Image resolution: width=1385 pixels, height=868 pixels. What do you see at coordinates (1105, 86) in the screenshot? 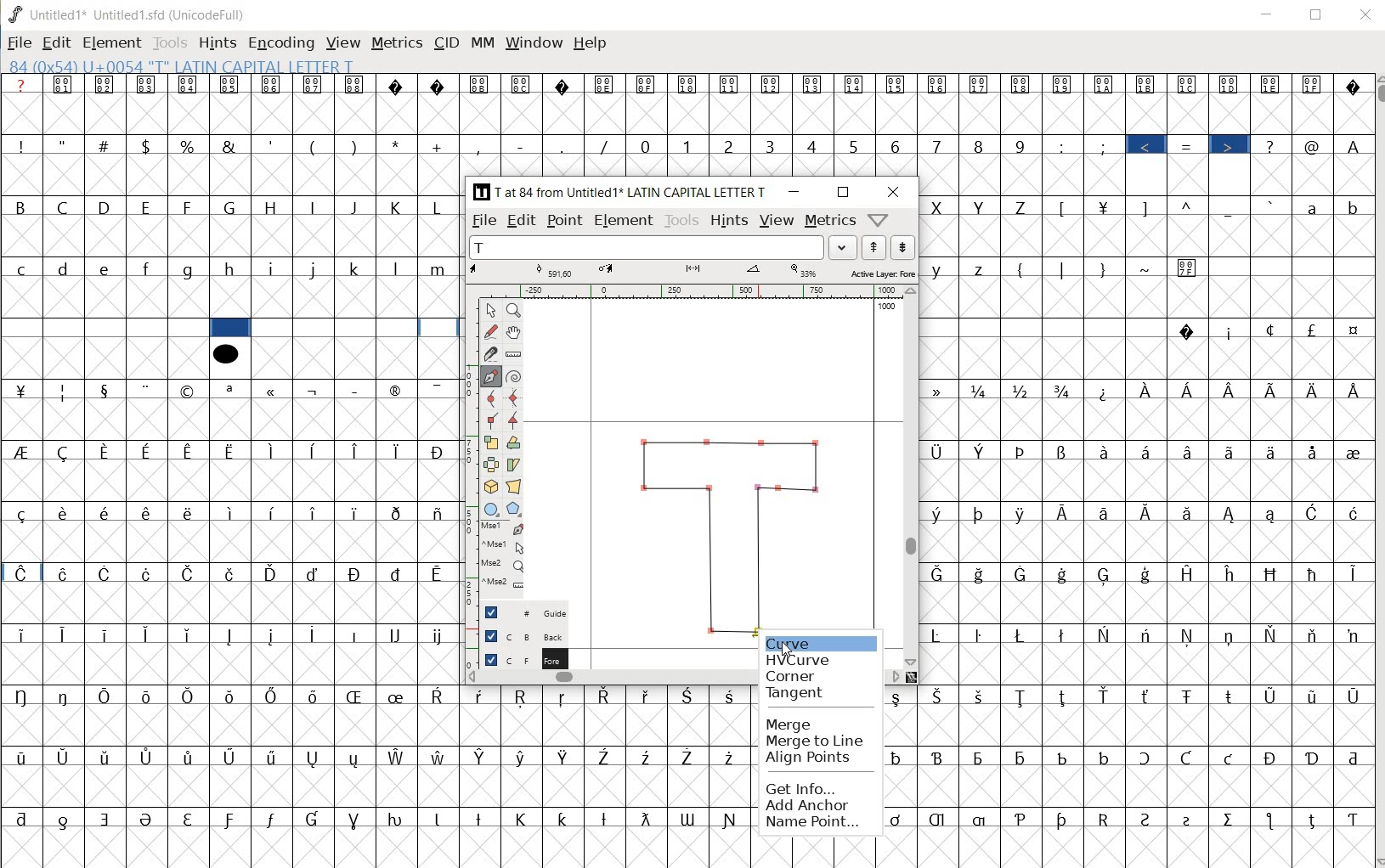
I see `Symbol` at bounding box center [1105, 86].